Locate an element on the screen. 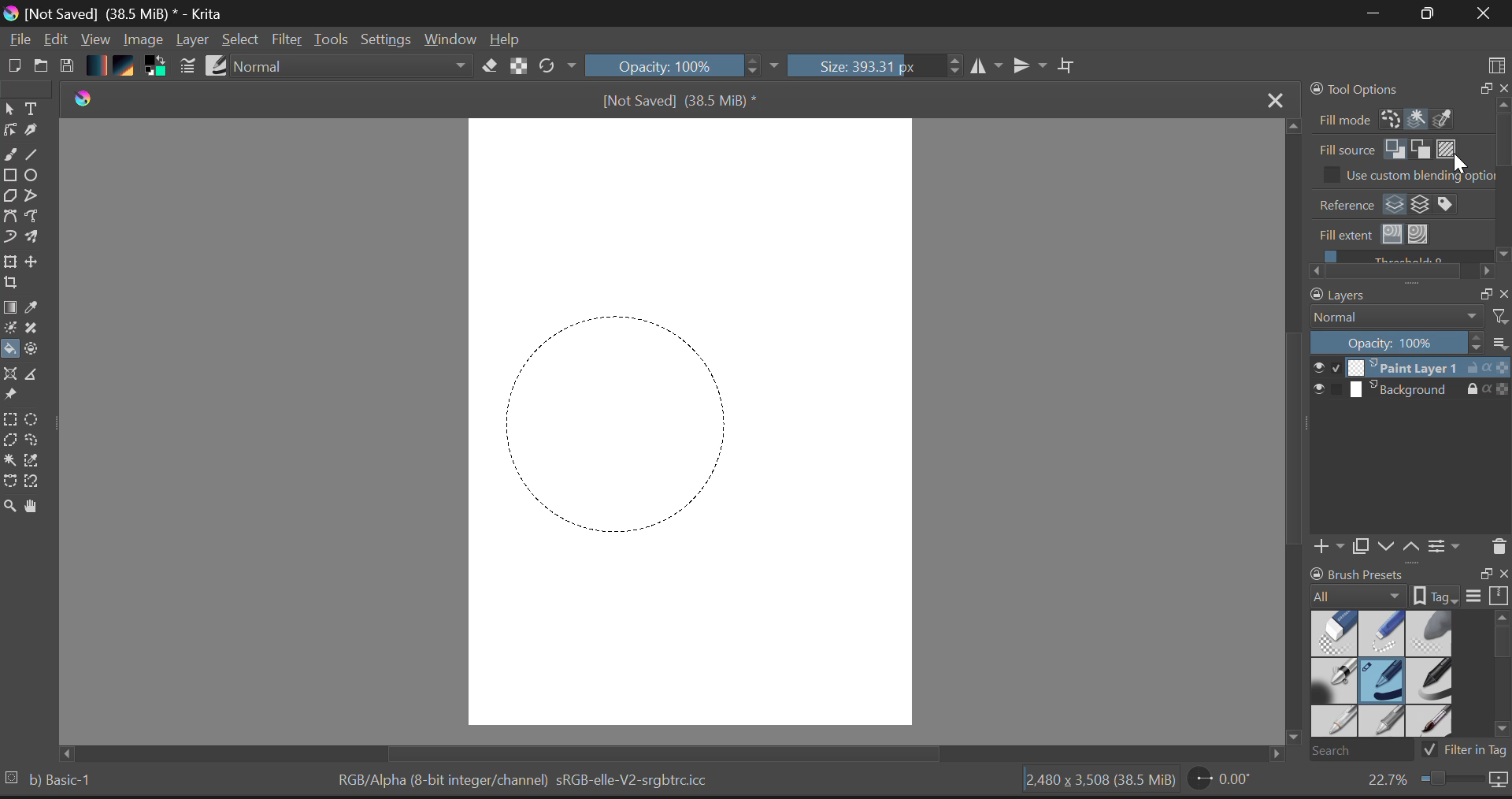  Fill Source: Foreground Color is located at coordinates (1397, 150).